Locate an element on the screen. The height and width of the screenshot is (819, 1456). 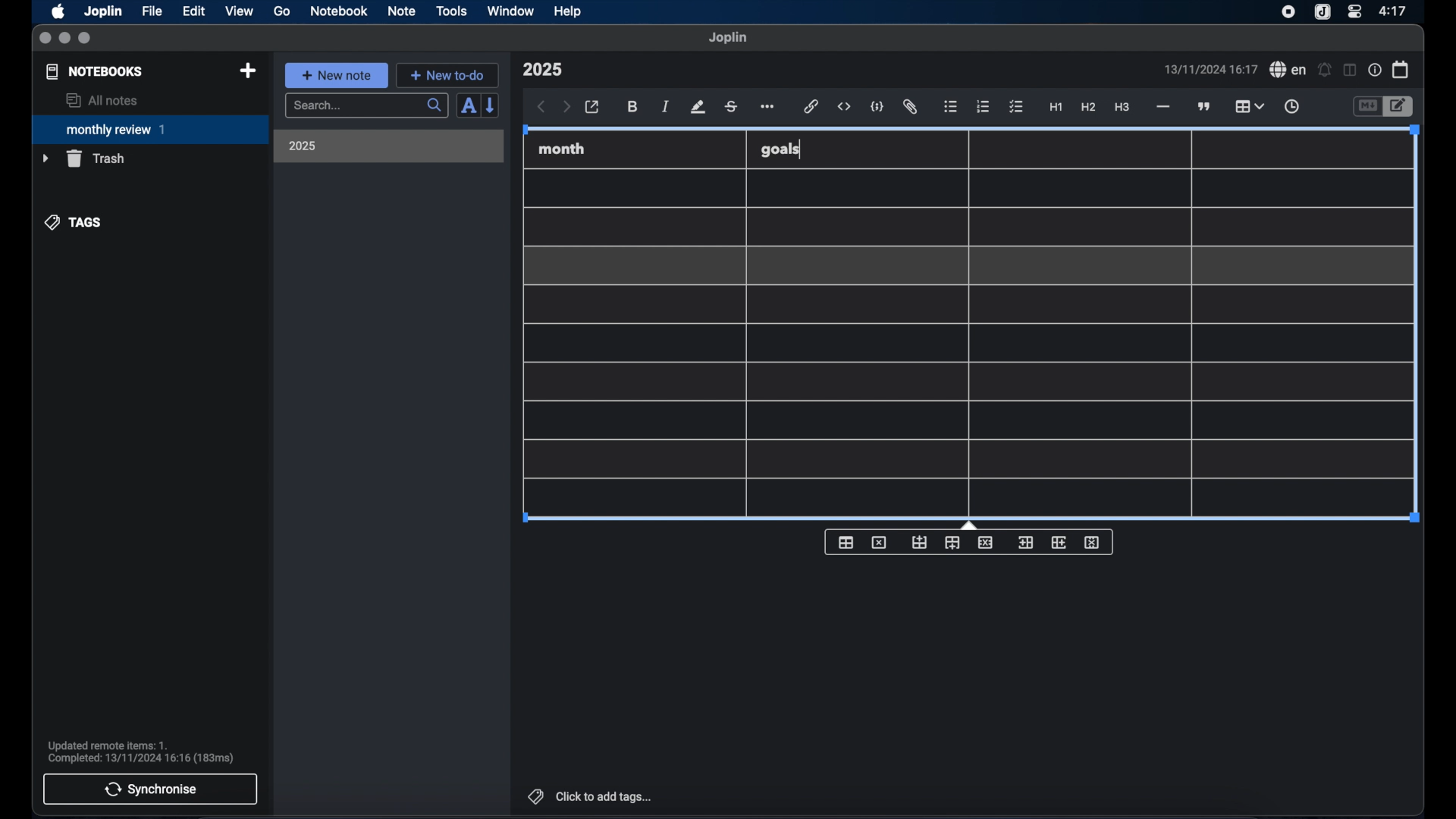
toggle editor is located at coordinates (1401, 107).